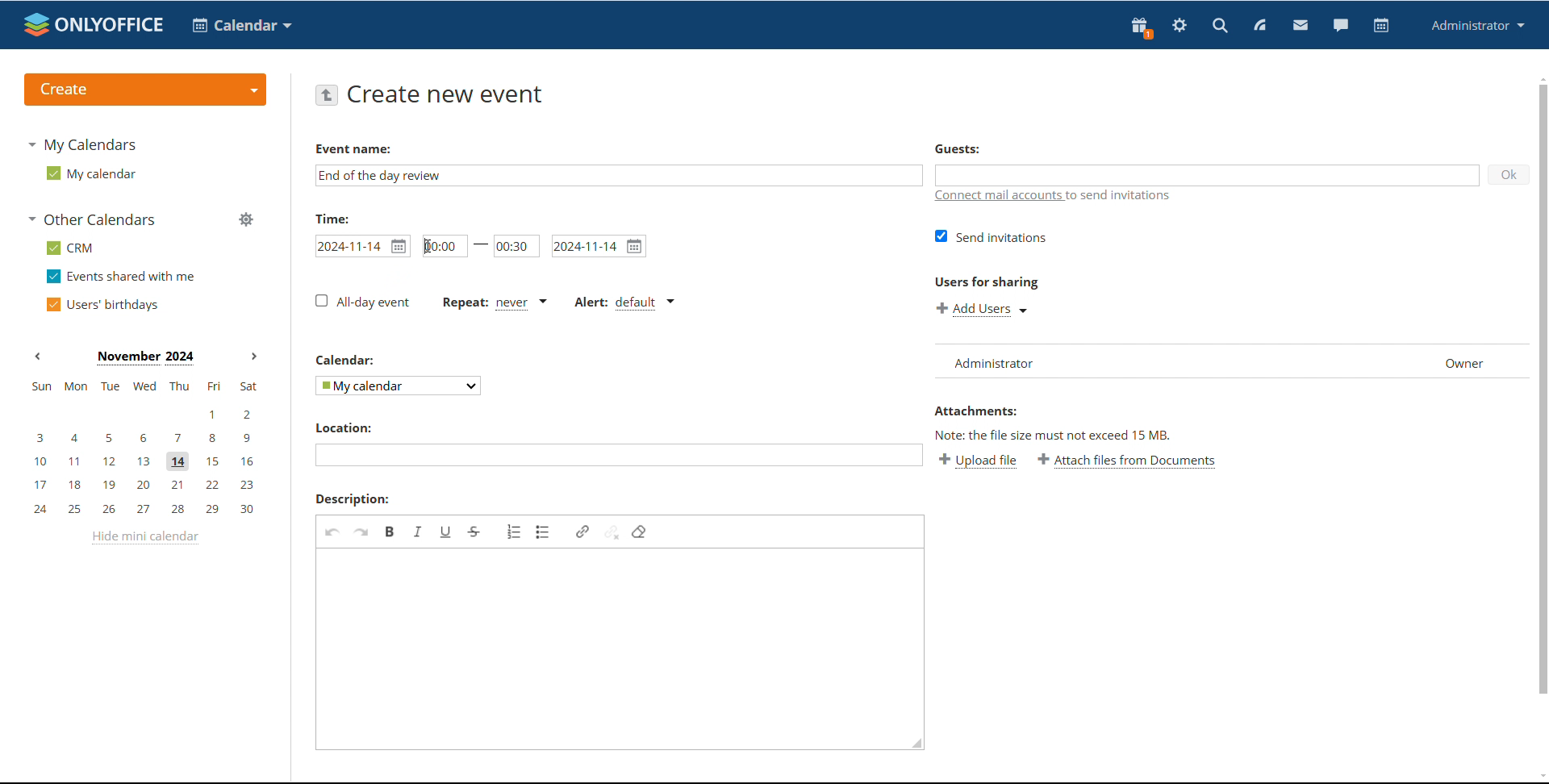  What do you see at coordinates (1301, 27) in the screenshot?
I see `mail` at bounding box center [1301, 27].